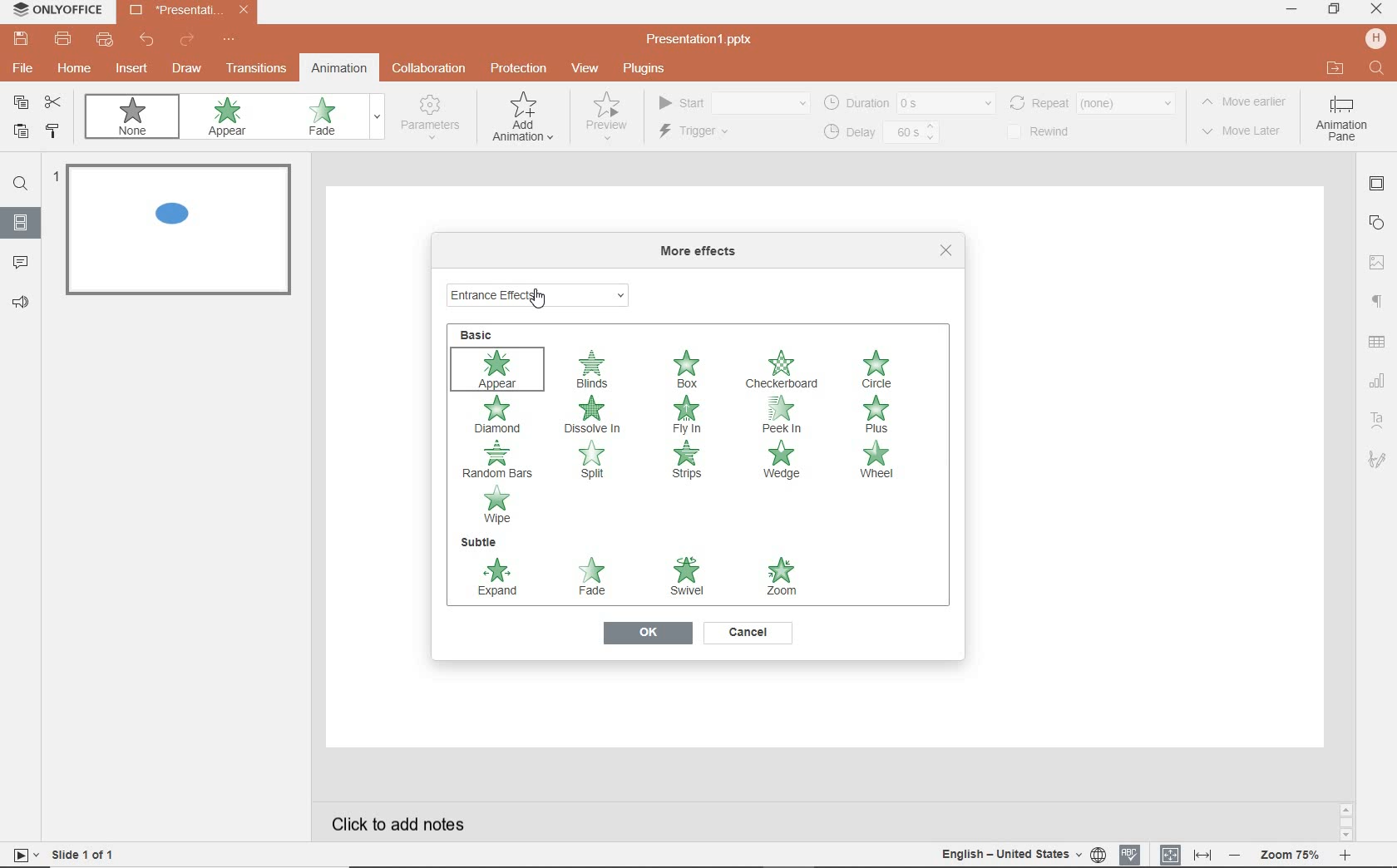 This screenshot has width=1397, height=868. I want to click on spell checking, so click(1128, 854).